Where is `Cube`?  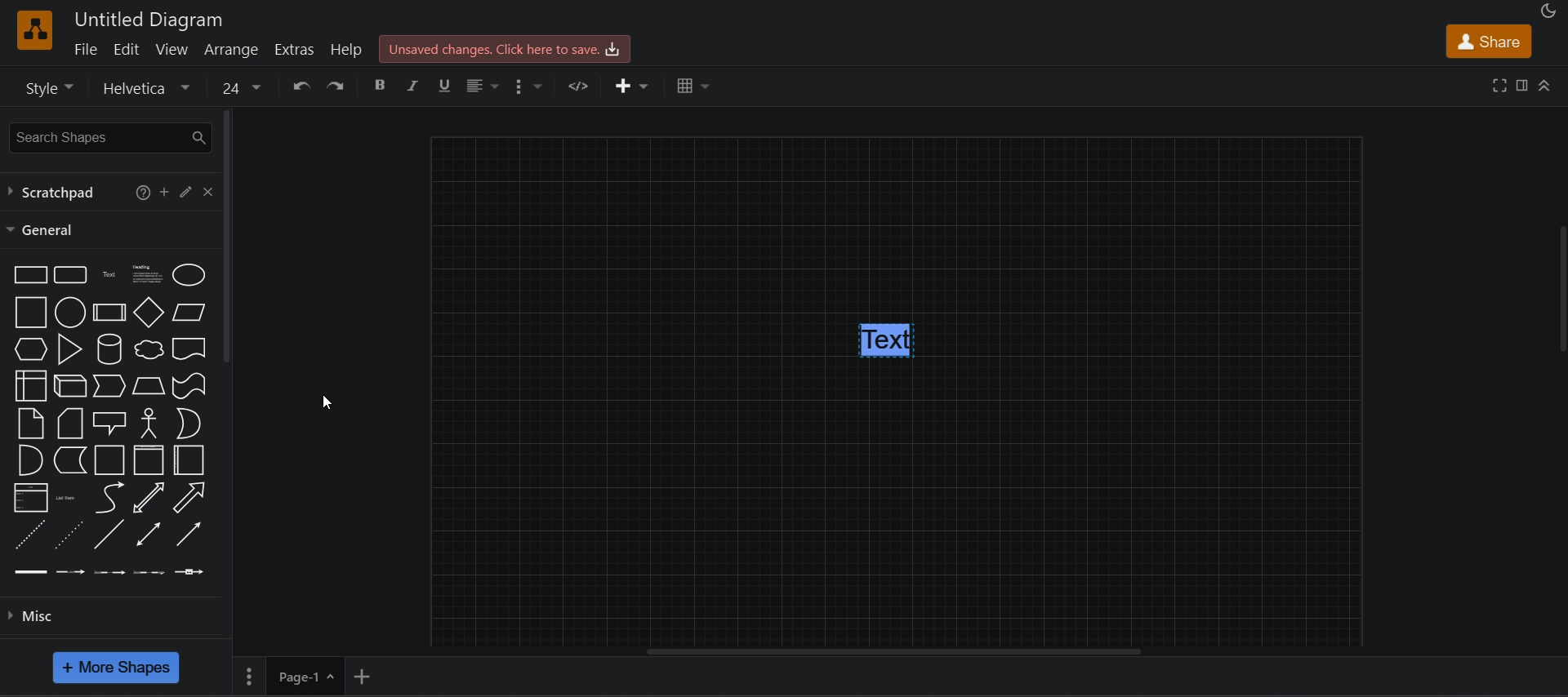 Cube is located at coordinates (70, 385).